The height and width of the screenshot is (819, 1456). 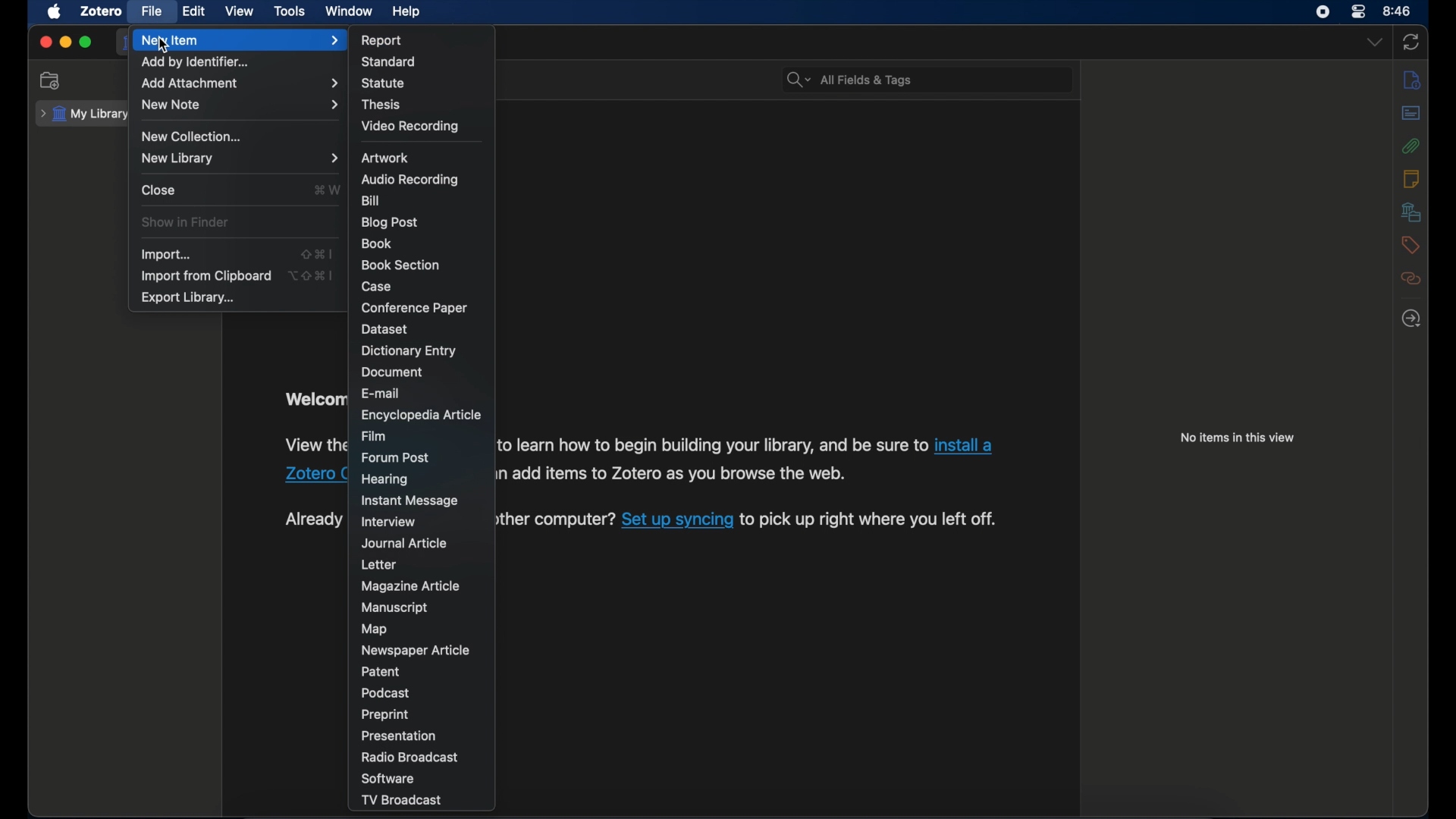 I want to click on file, so click(x=152, y=12).